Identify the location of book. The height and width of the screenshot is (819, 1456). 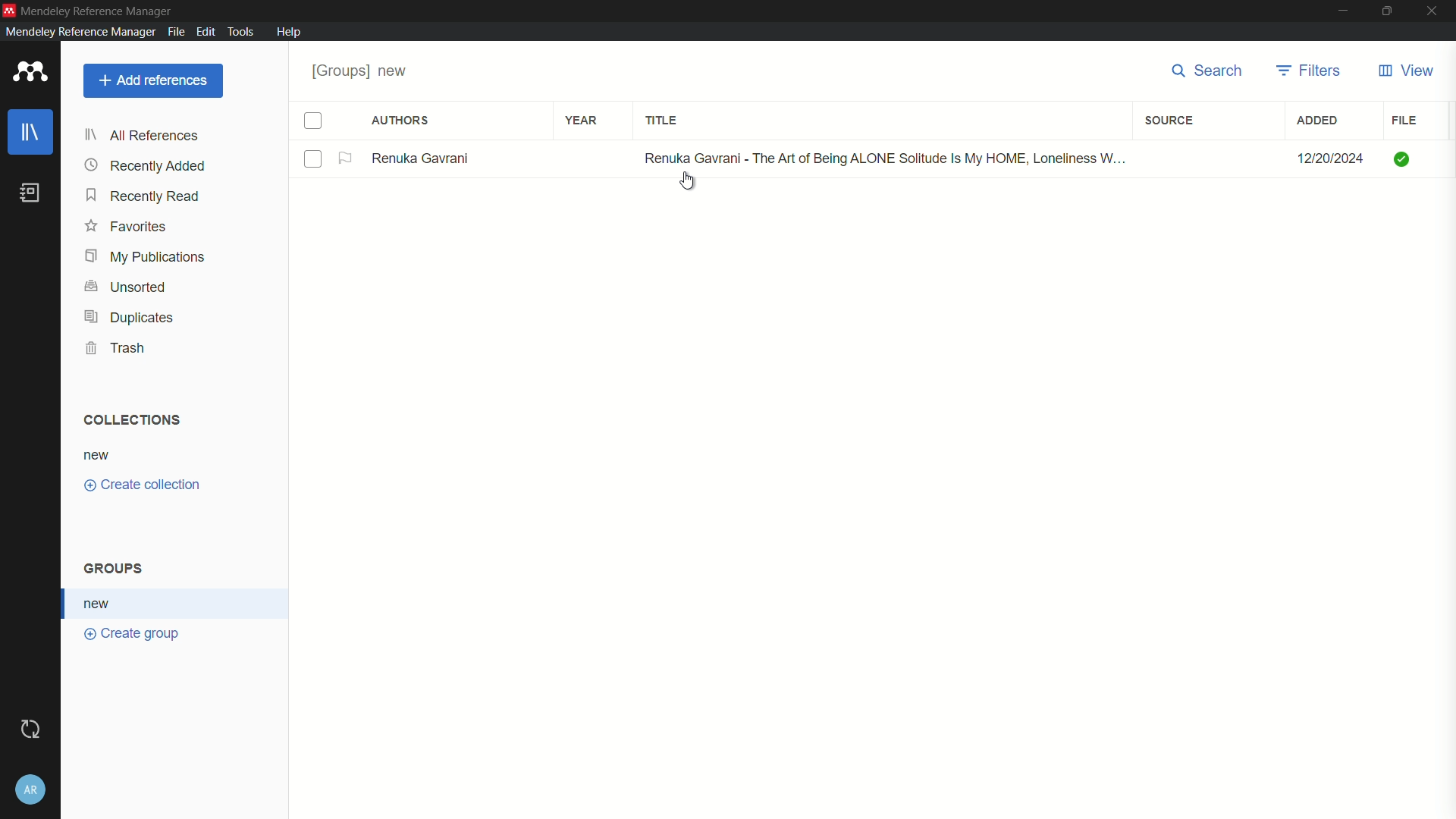
(30, 193).